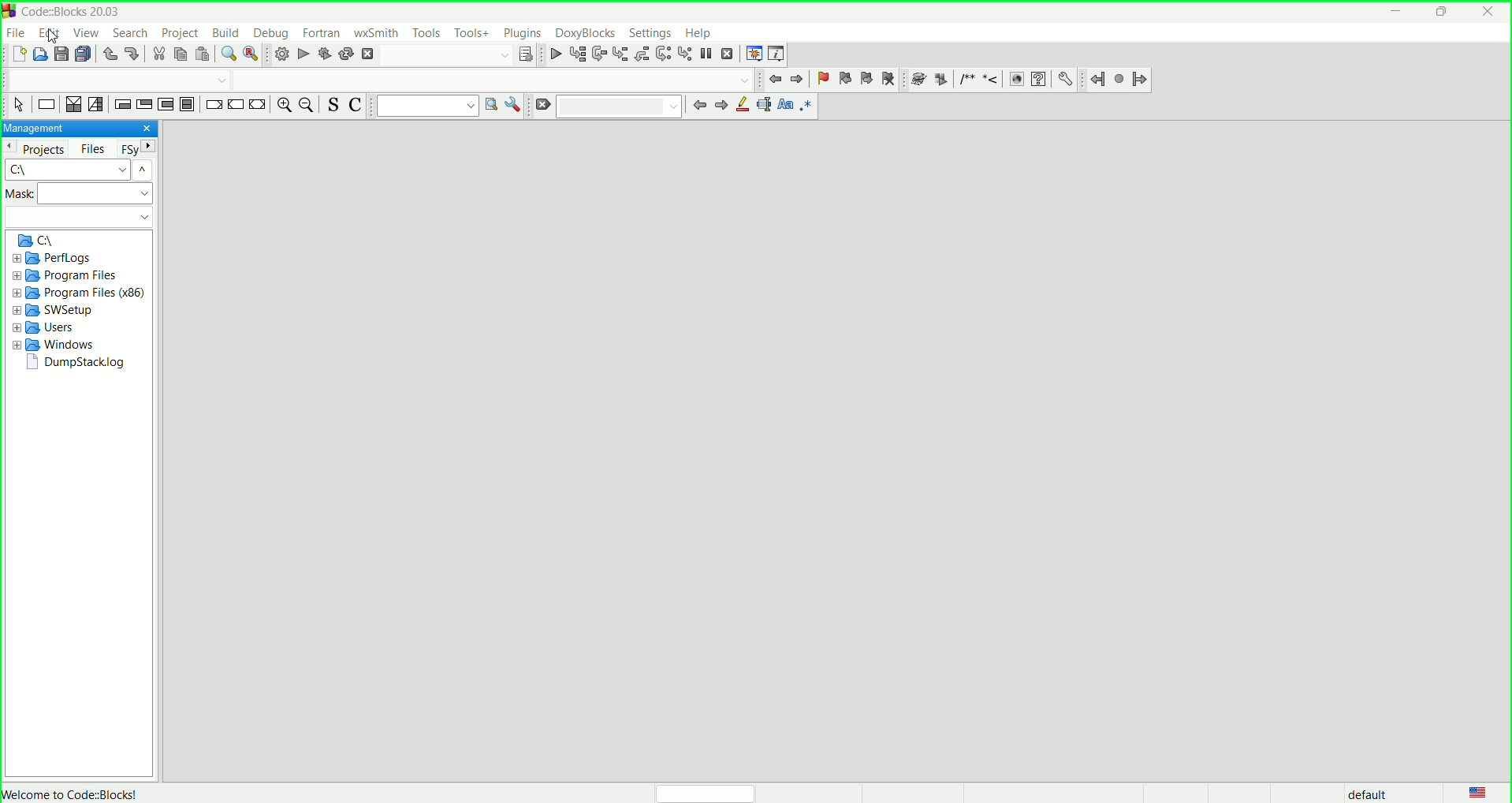 The width and height of the screenshot is (1512, 803). What do you see at coordinates (620, 107) in the screenshot?
I see `textbox` at bounding box center [620, 107].